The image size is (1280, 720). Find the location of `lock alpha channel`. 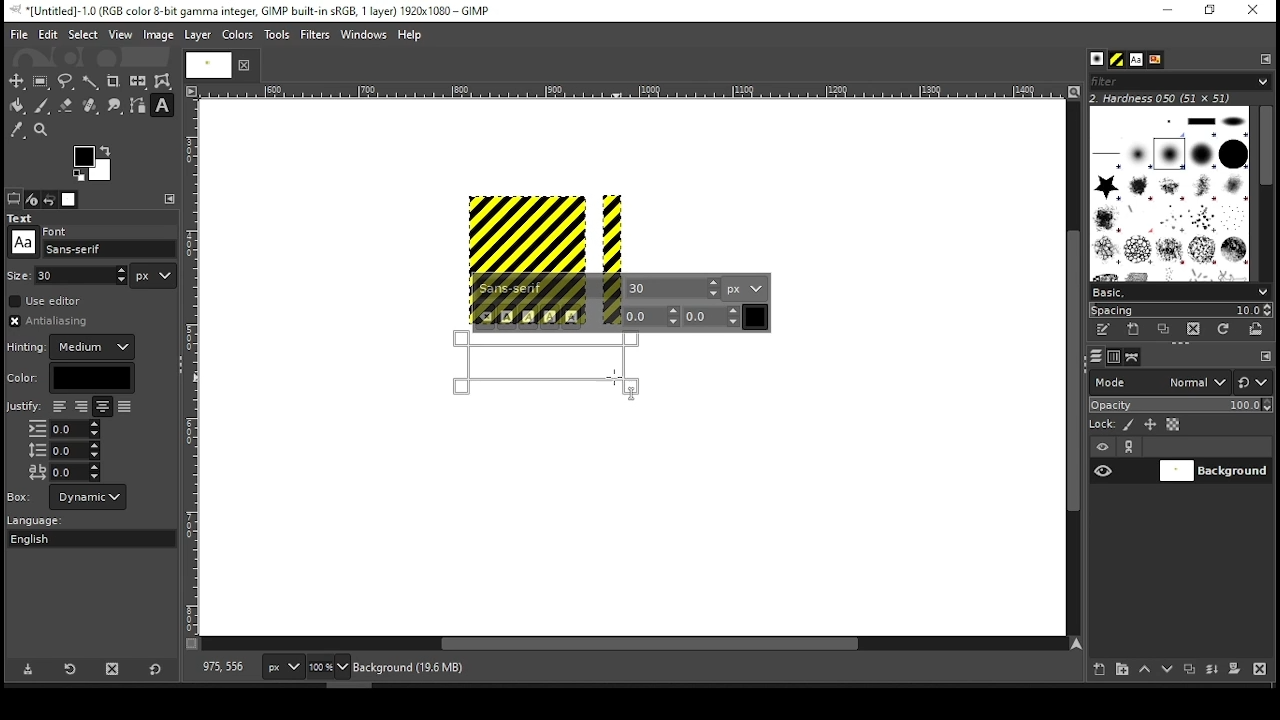

lock alpha channel is located at coordinates (1172, 425).